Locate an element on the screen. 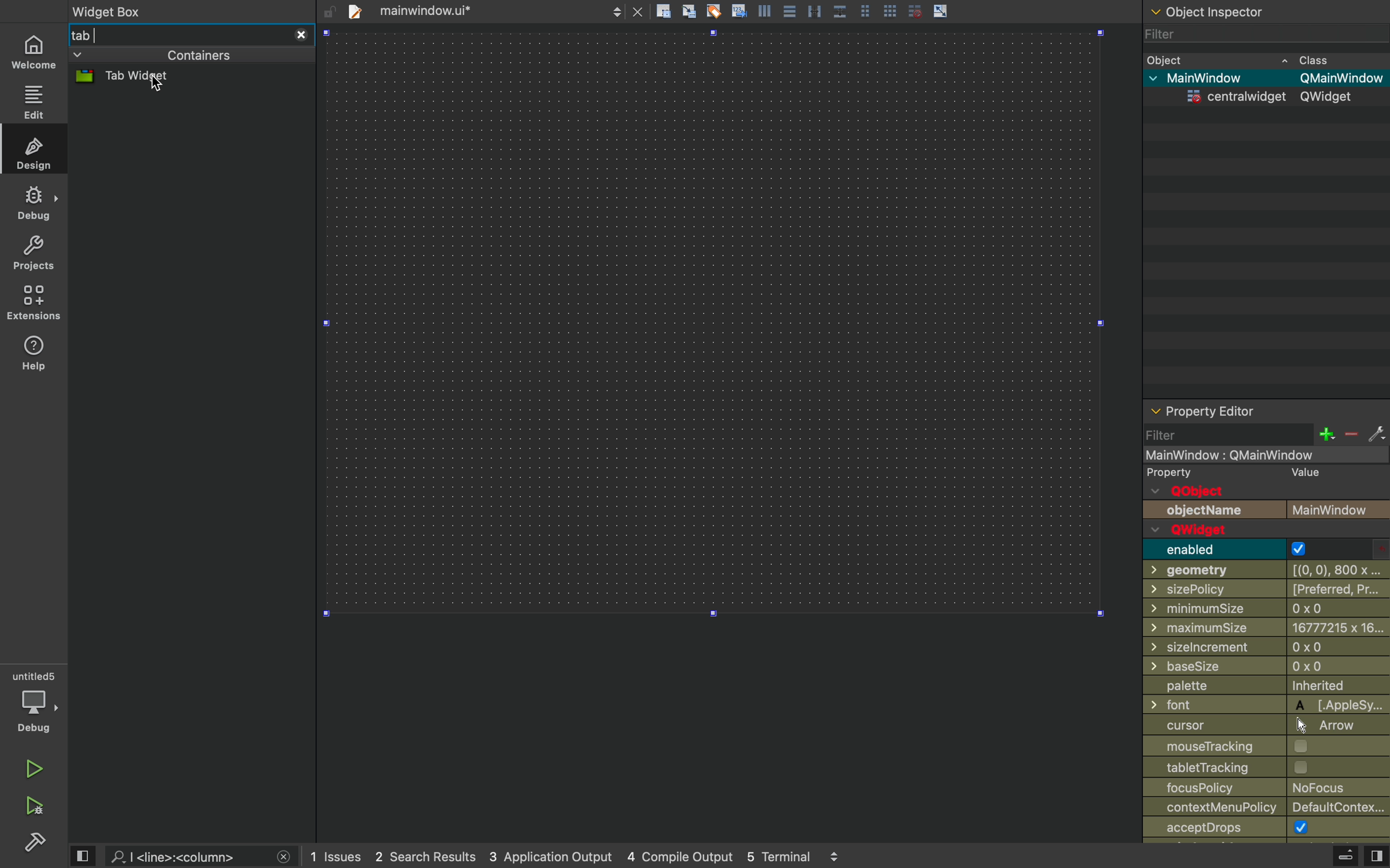  accept drops is located at coordinates (1267, 830).